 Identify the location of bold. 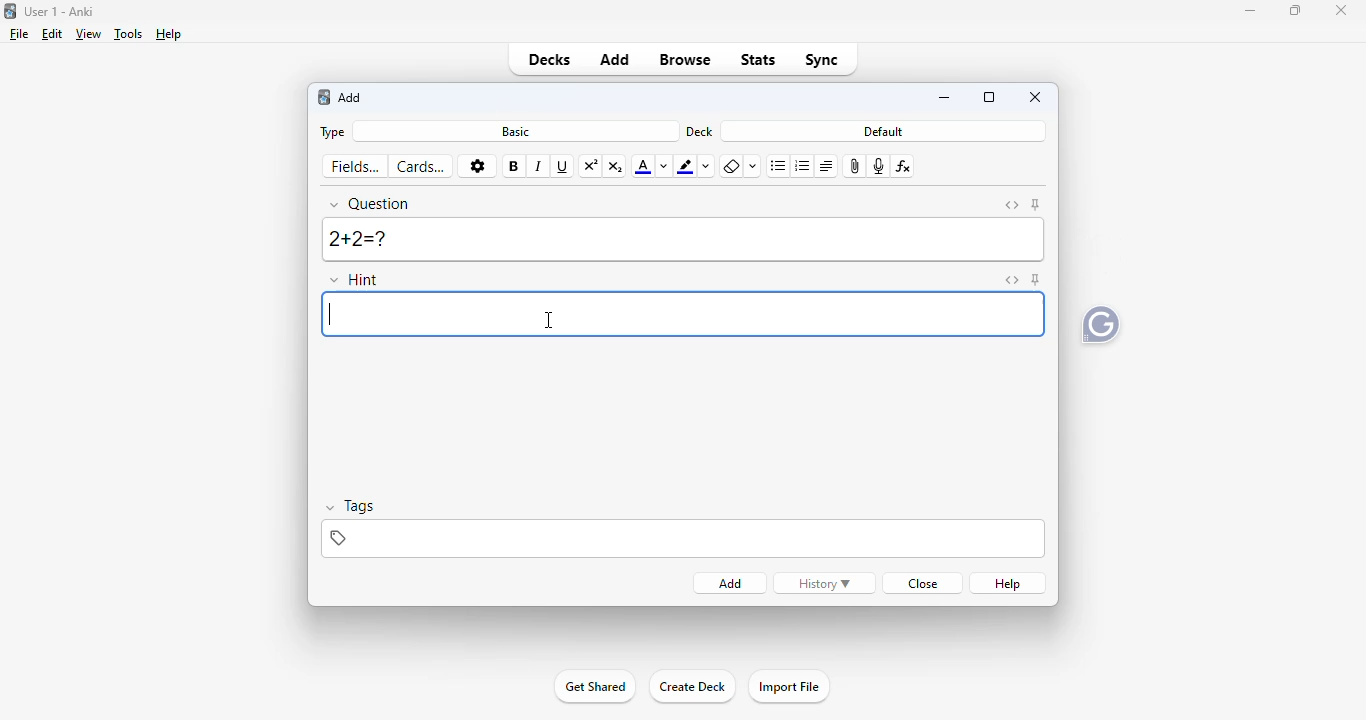
(513, 167).